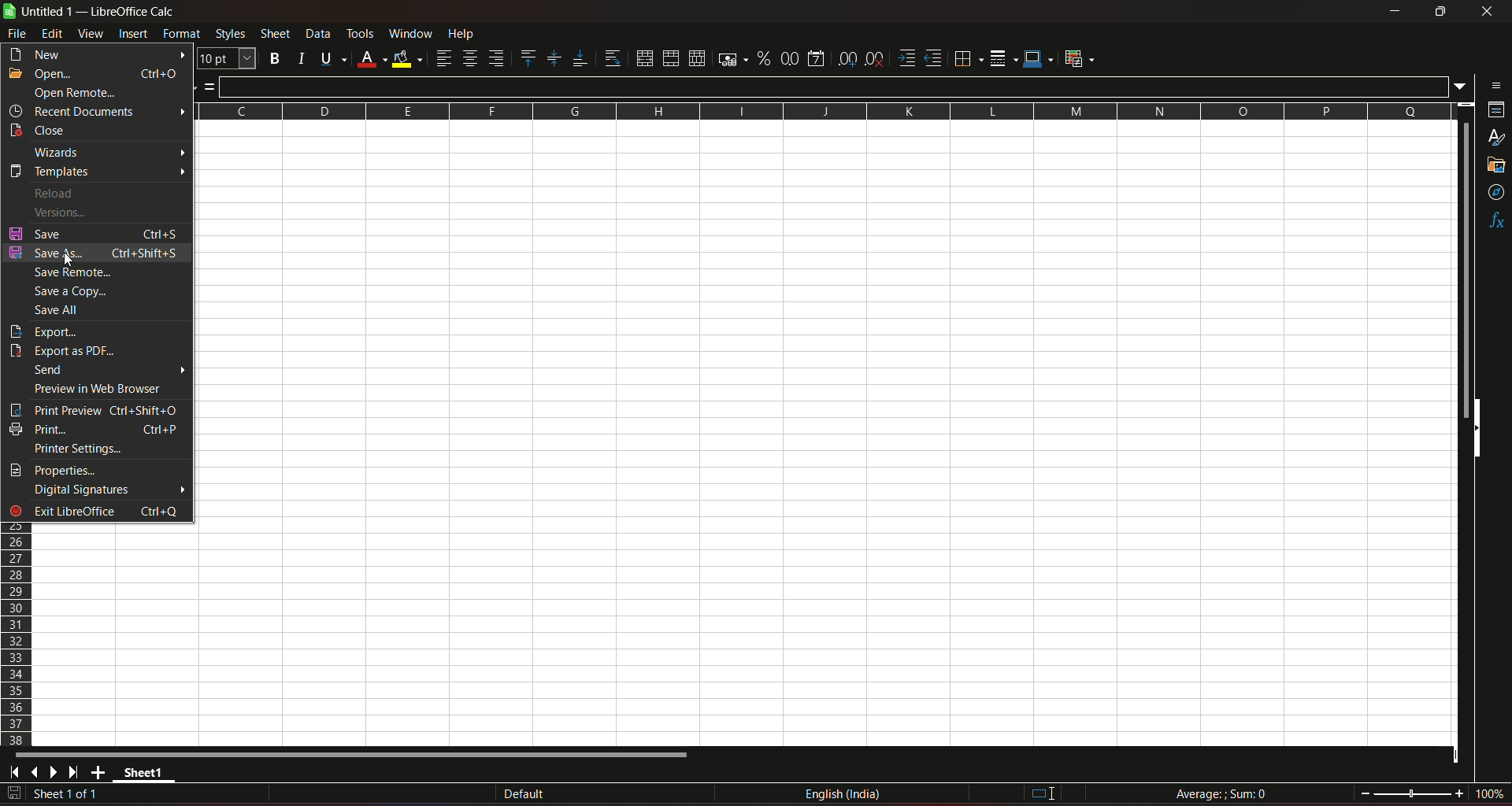  Describe the element at coordinates (1005, 57) in the screenshot. I see `border style` at that location.